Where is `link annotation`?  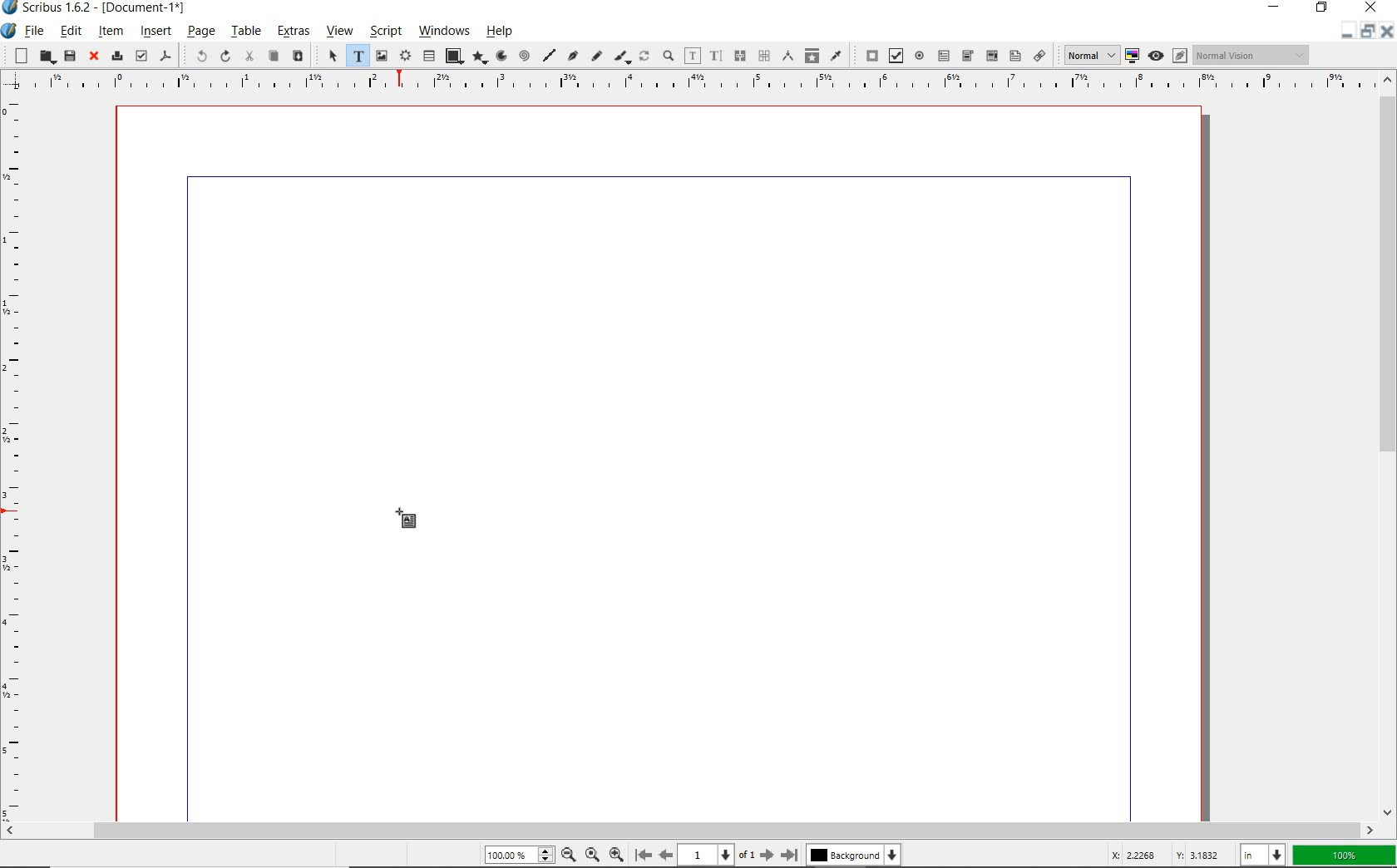
link annotation is located at coordinates (1040, 55).